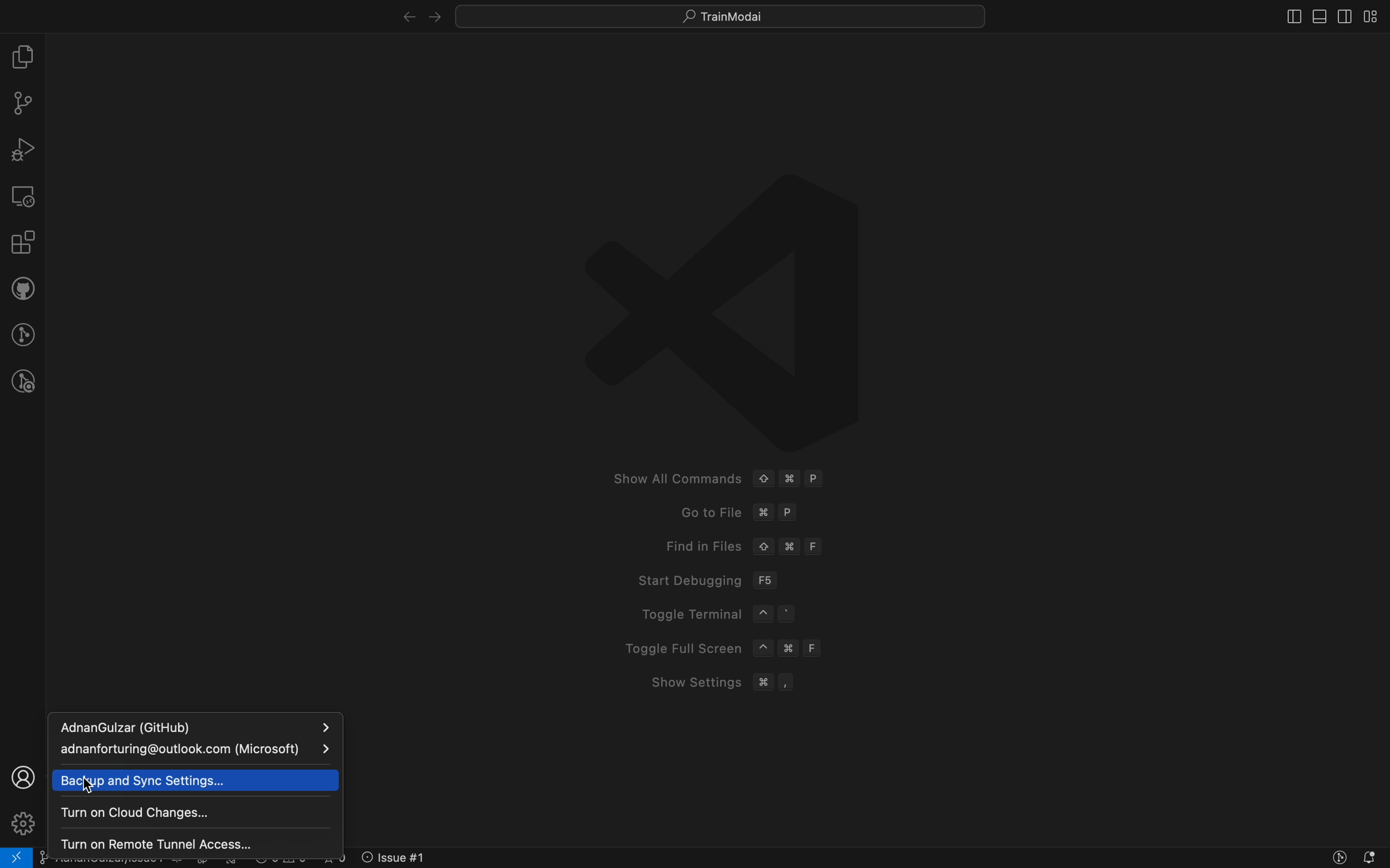 The height and width of the screenshot is (868, 1390). Describe the element at coordinates (717, 14) in the screenshot. I see `quick menus` at that location.